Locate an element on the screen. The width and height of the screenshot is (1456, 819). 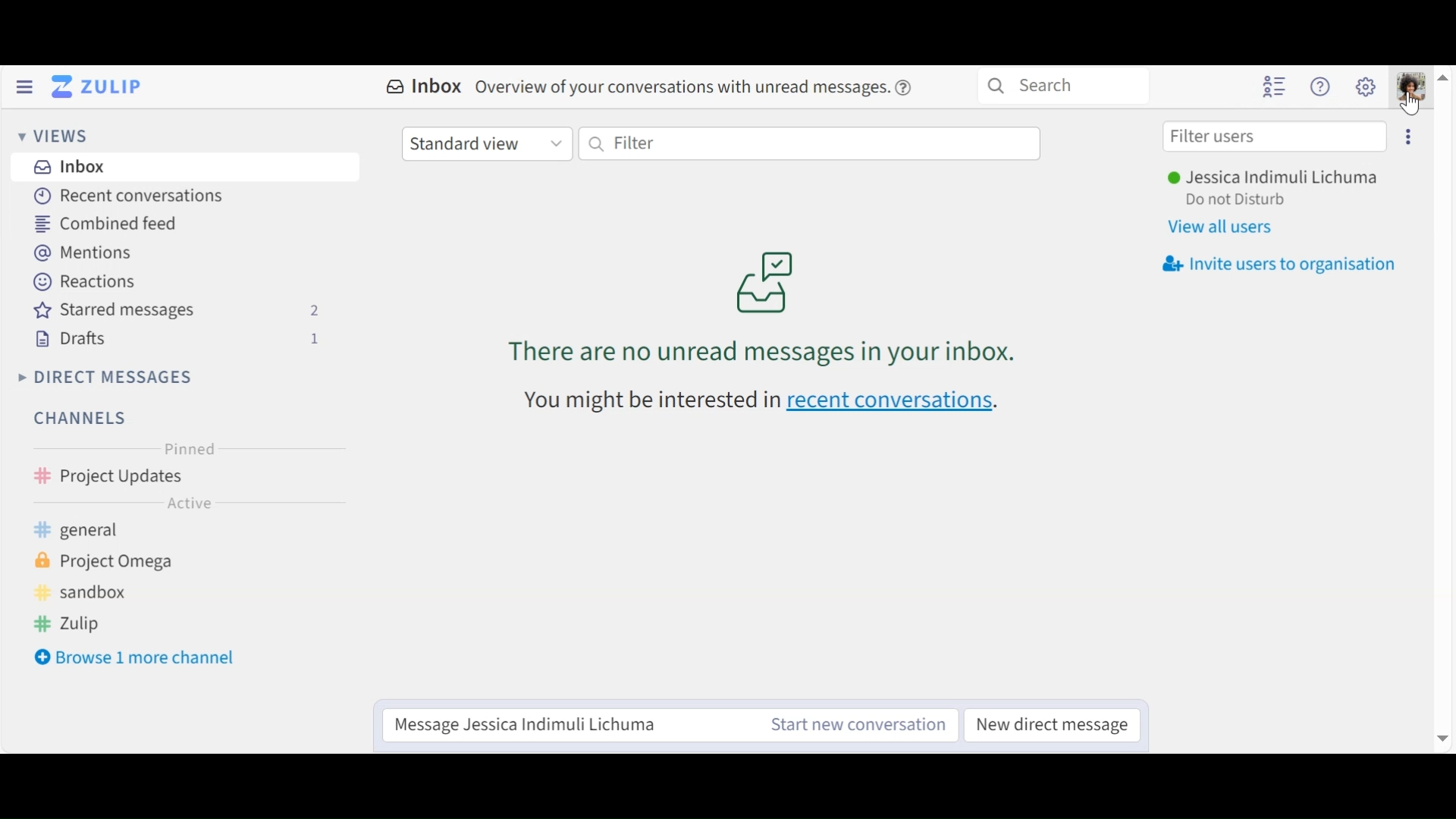
Project Omega is located at coordinates (121, 565).